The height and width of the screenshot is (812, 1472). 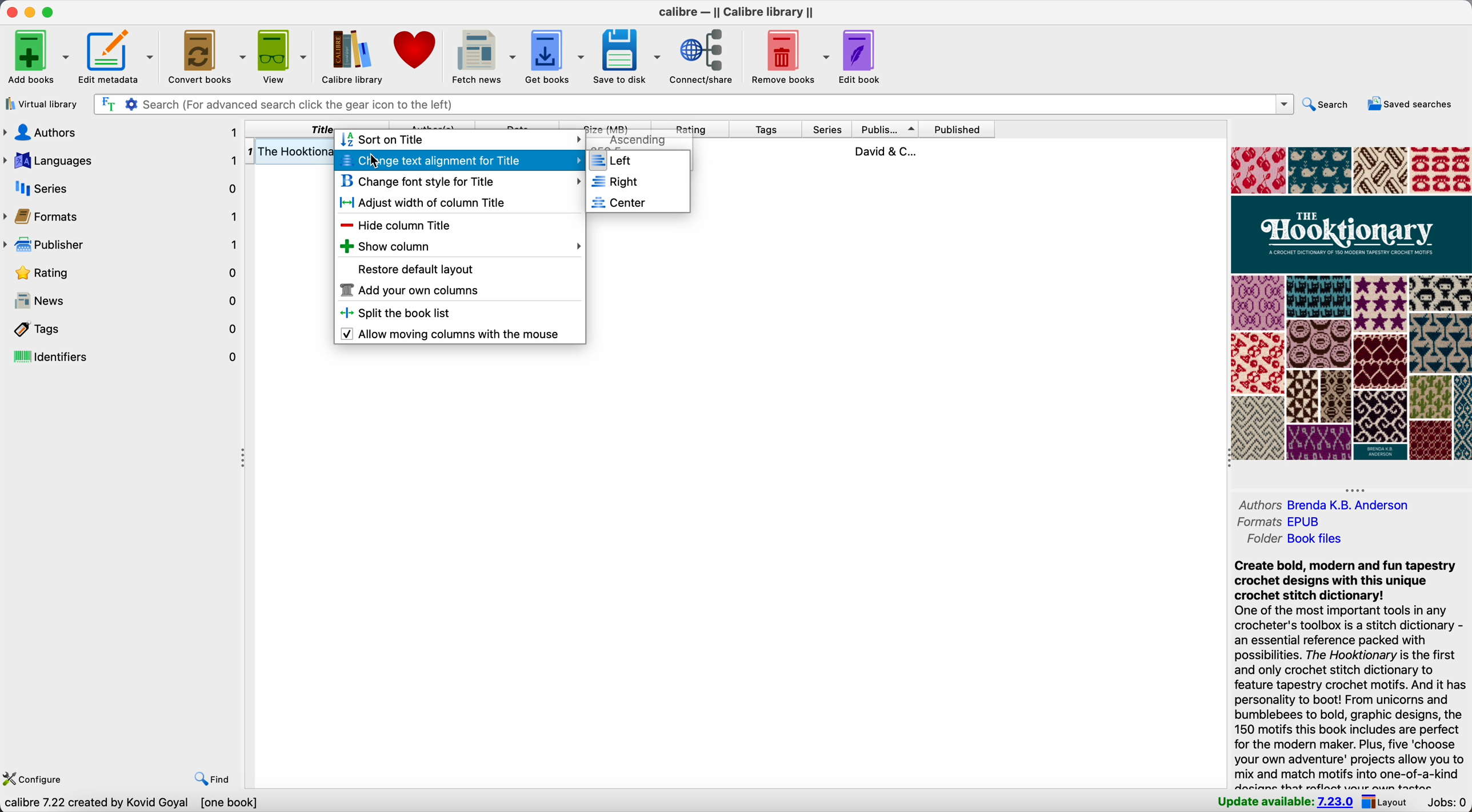 I want to click on edit metadata, so click(x=119, y=57).